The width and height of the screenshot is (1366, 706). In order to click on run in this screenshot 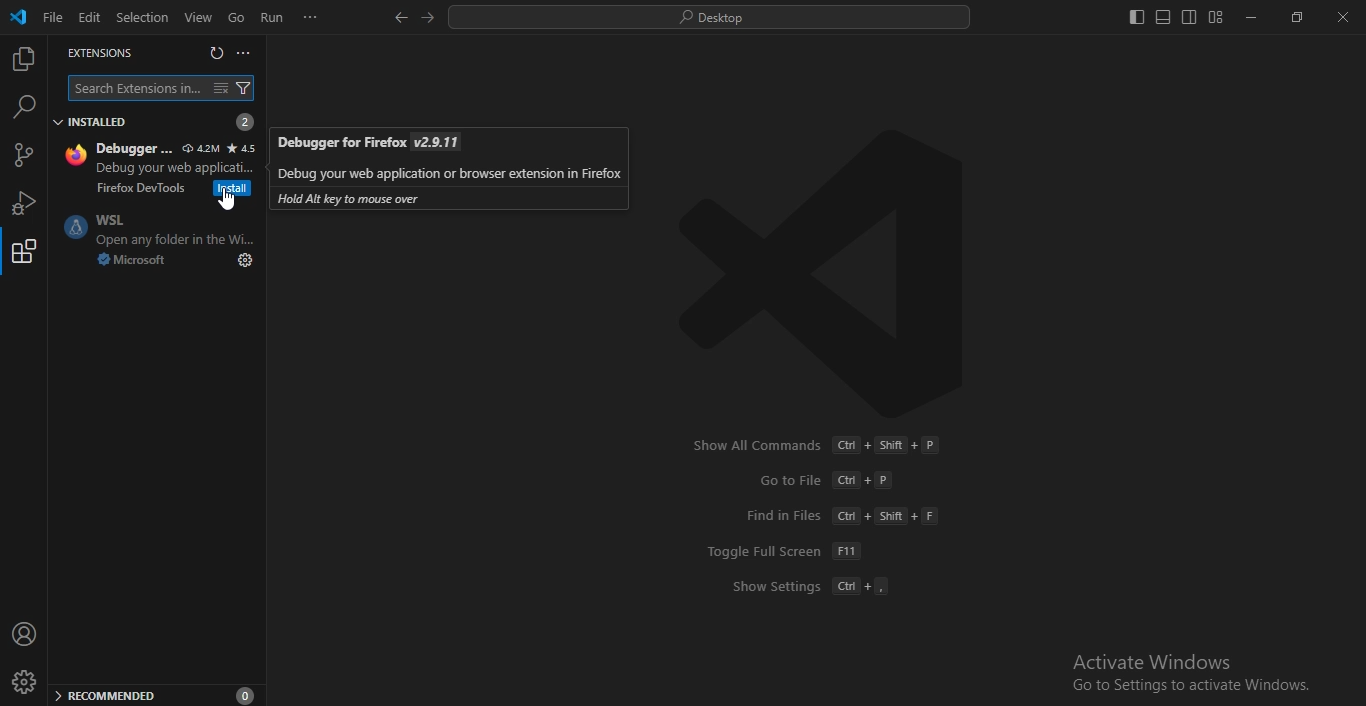, I will do `click(273, 17)`.